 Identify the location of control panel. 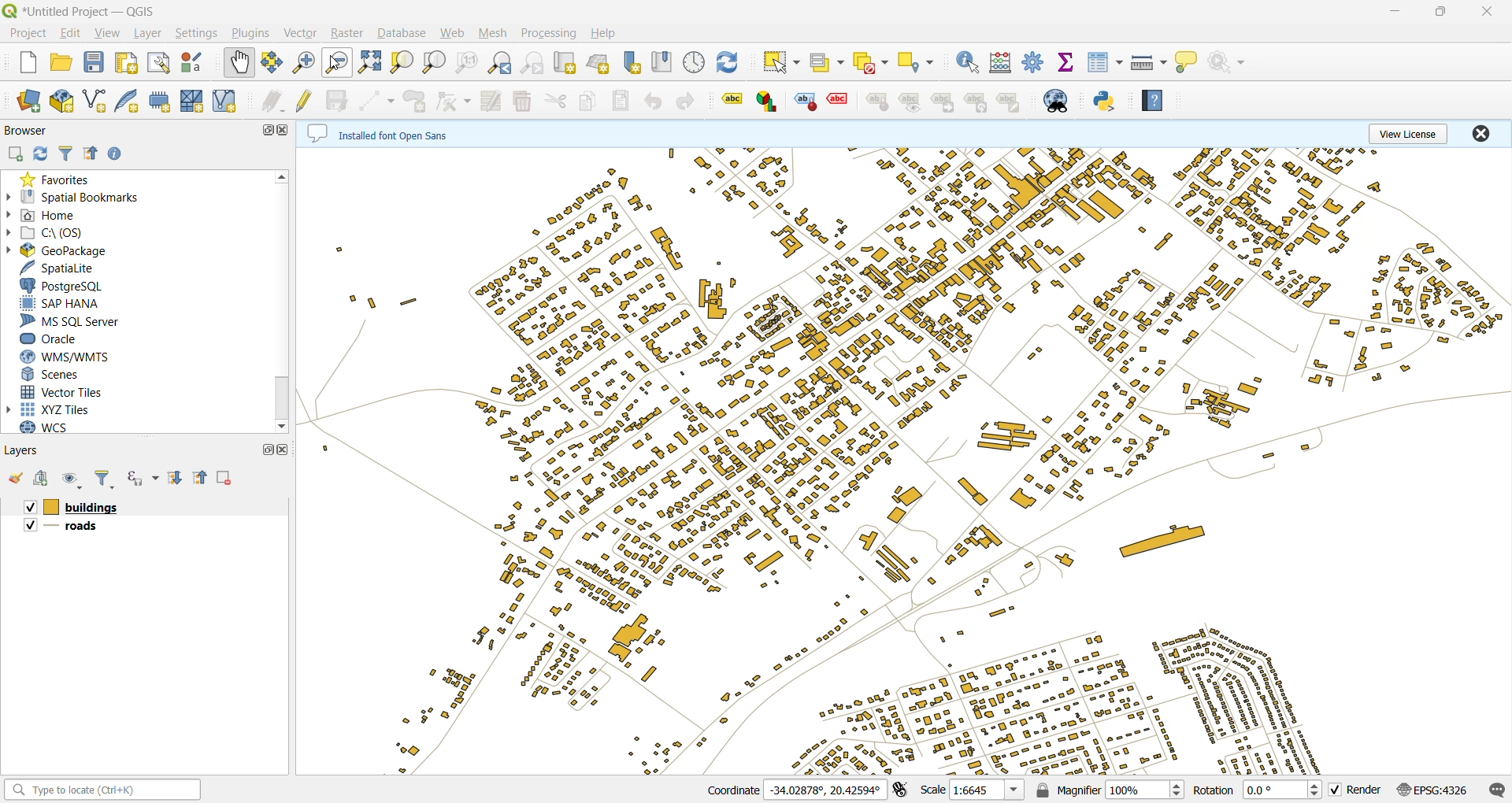
(695, 63).